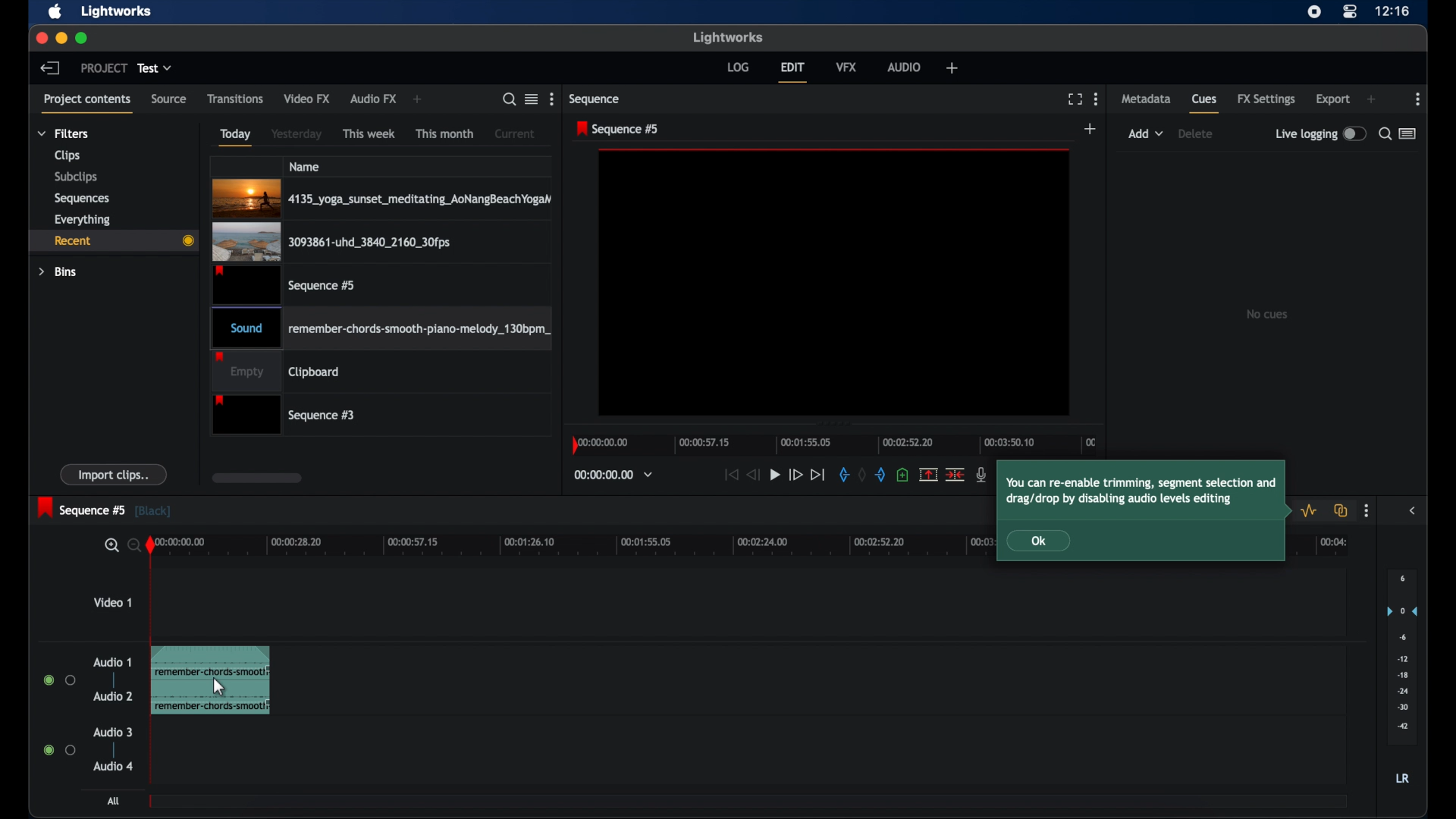 The image size is (1456, 819). Describe the element at coordinates (955, 474) in the screenshot. I see `cut` at that location.